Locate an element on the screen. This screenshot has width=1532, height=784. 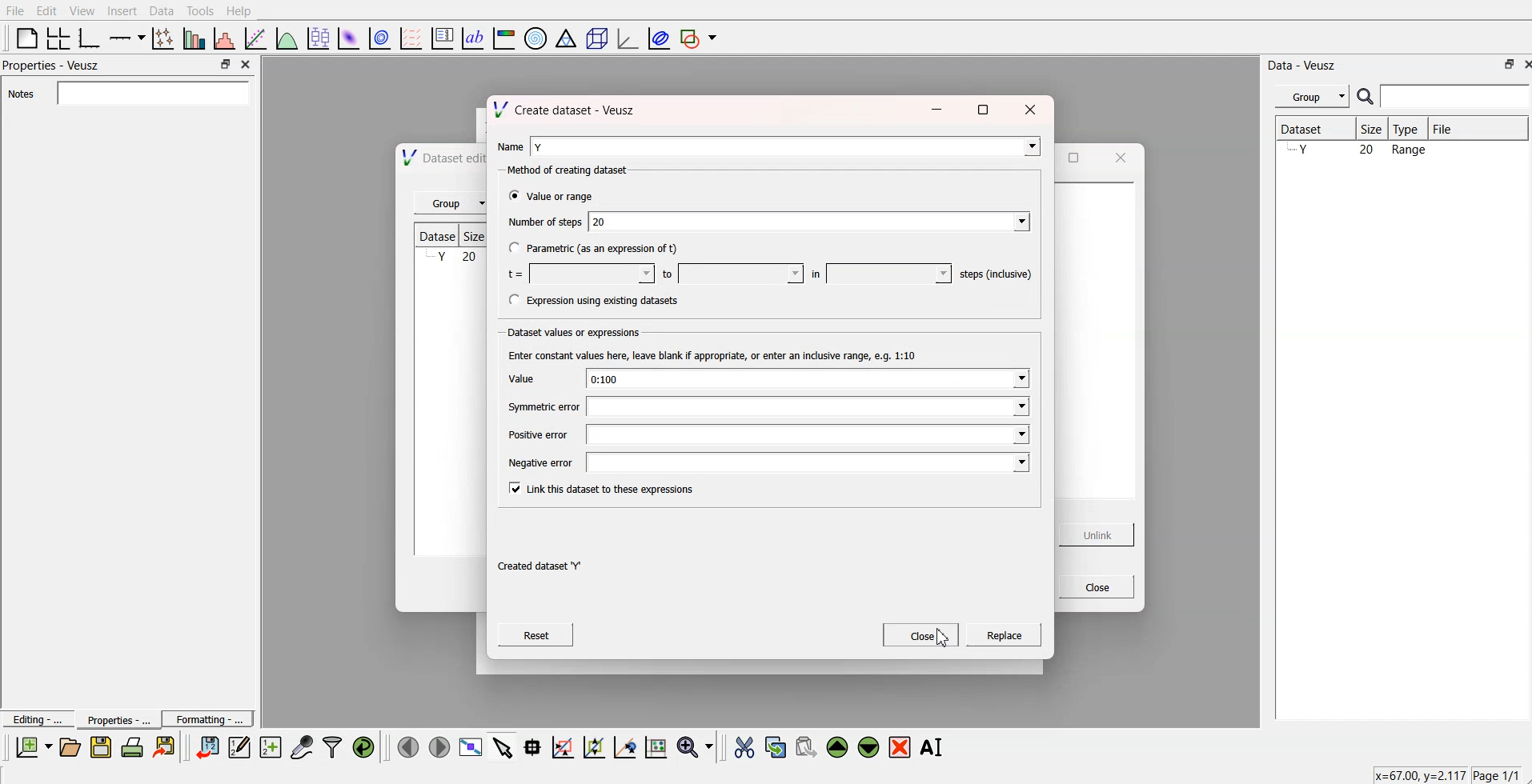
Cut is located at coordinates (744, 746).